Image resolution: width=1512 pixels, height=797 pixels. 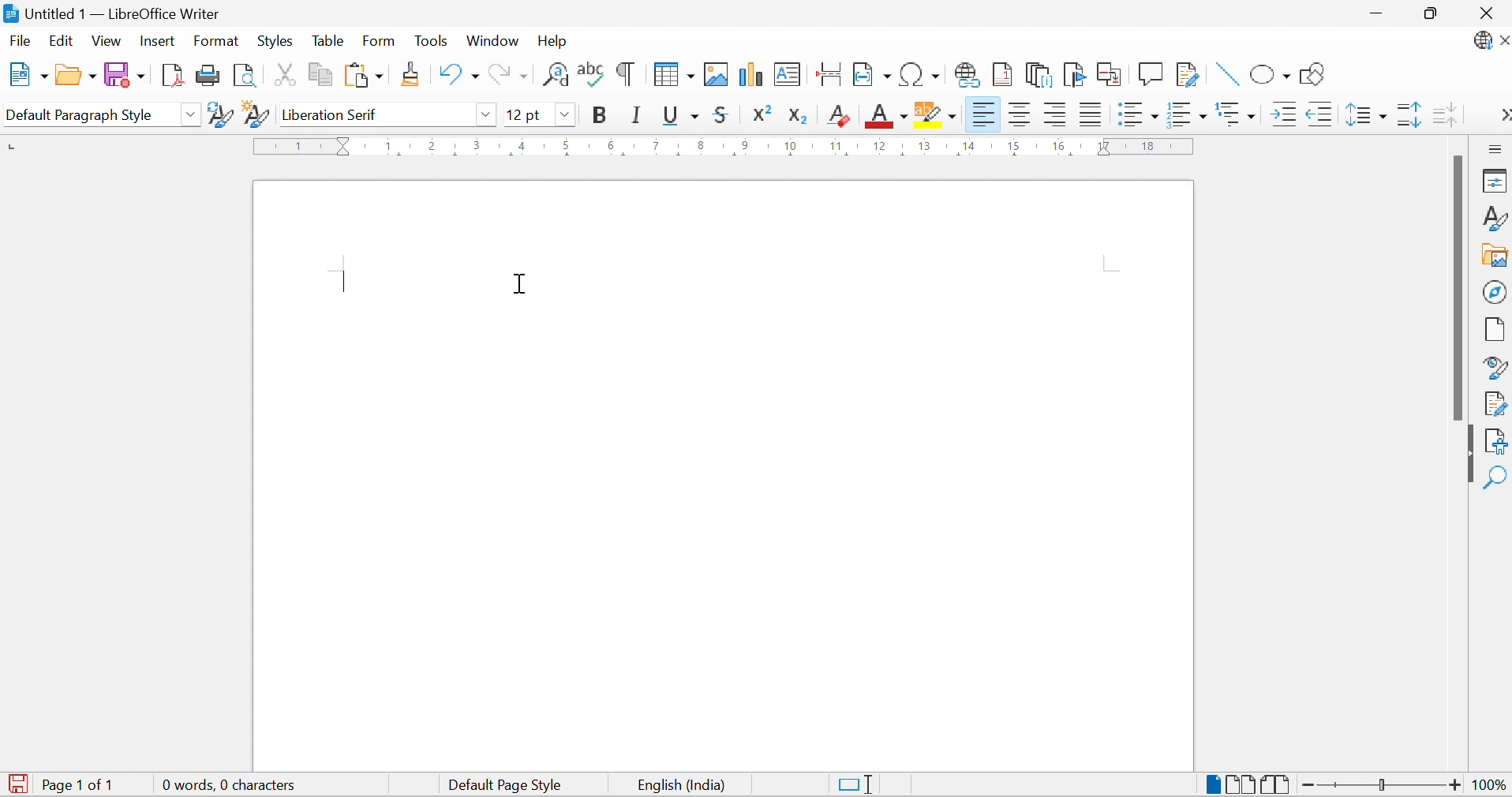 I want to click on View, so click(x=107, y=41).